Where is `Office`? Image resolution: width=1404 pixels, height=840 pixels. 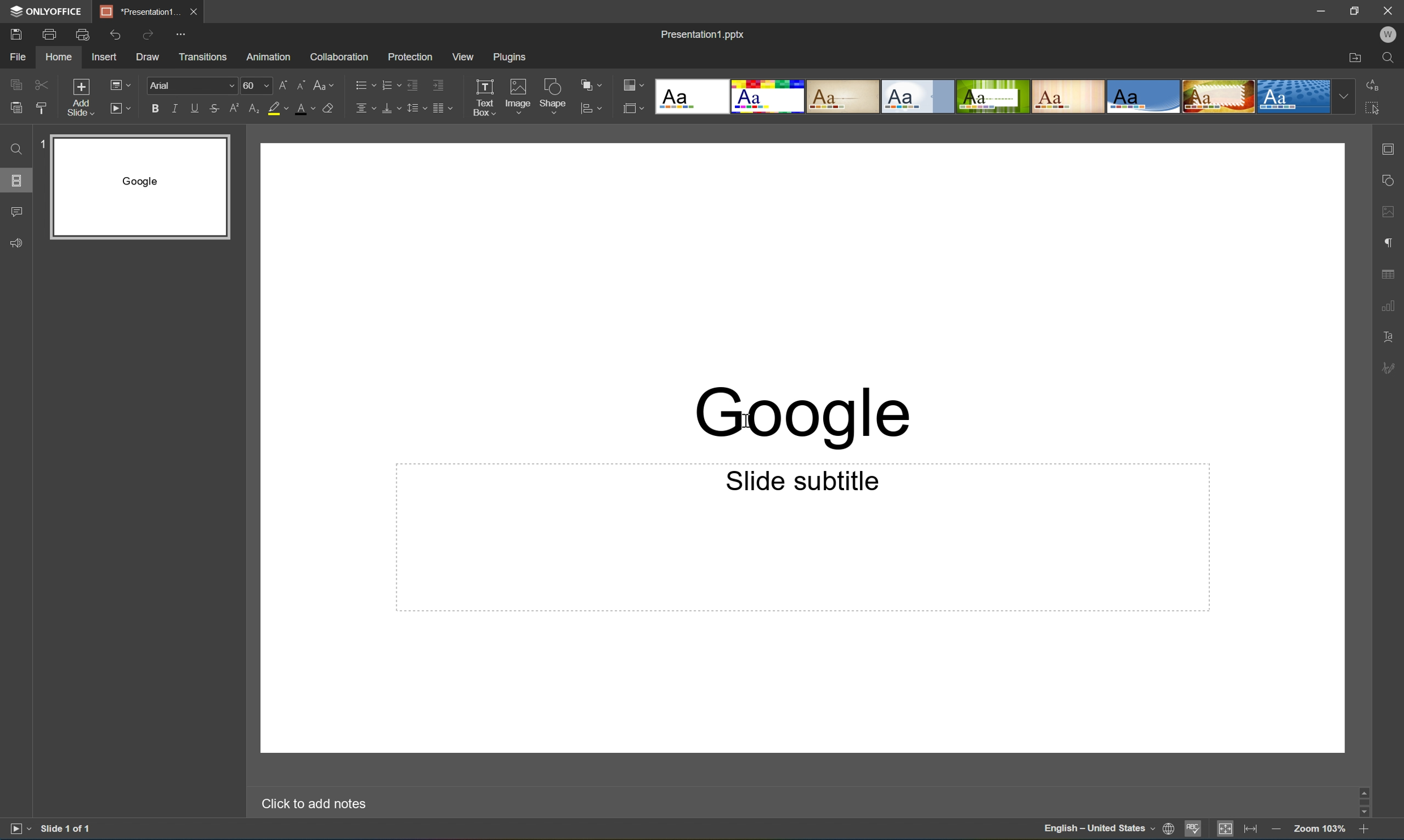
Office is located at coordinates (1142, 98).